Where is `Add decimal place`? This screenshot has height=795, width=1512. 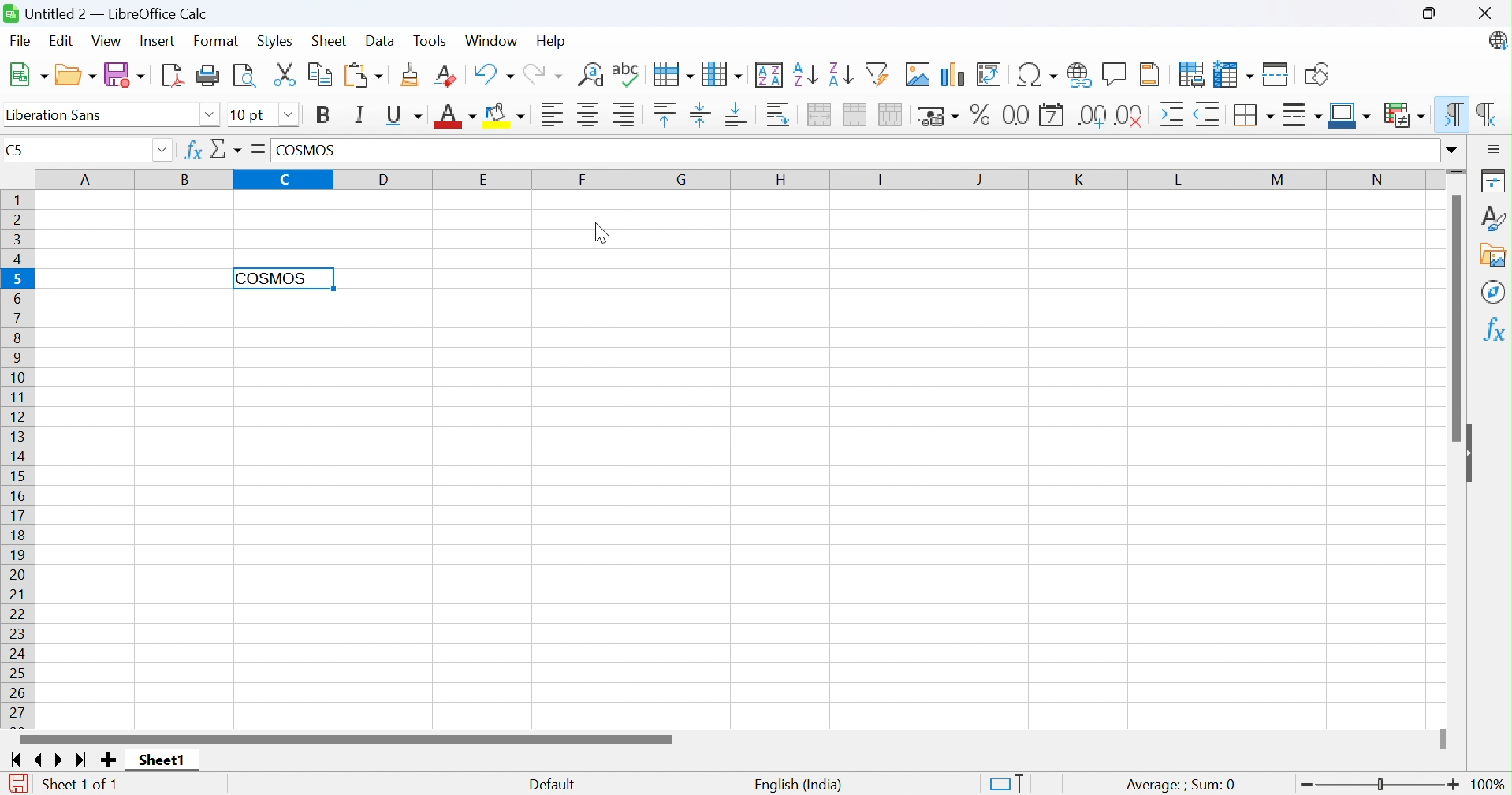 Add decimal place is located at coordinates (1094, 117).